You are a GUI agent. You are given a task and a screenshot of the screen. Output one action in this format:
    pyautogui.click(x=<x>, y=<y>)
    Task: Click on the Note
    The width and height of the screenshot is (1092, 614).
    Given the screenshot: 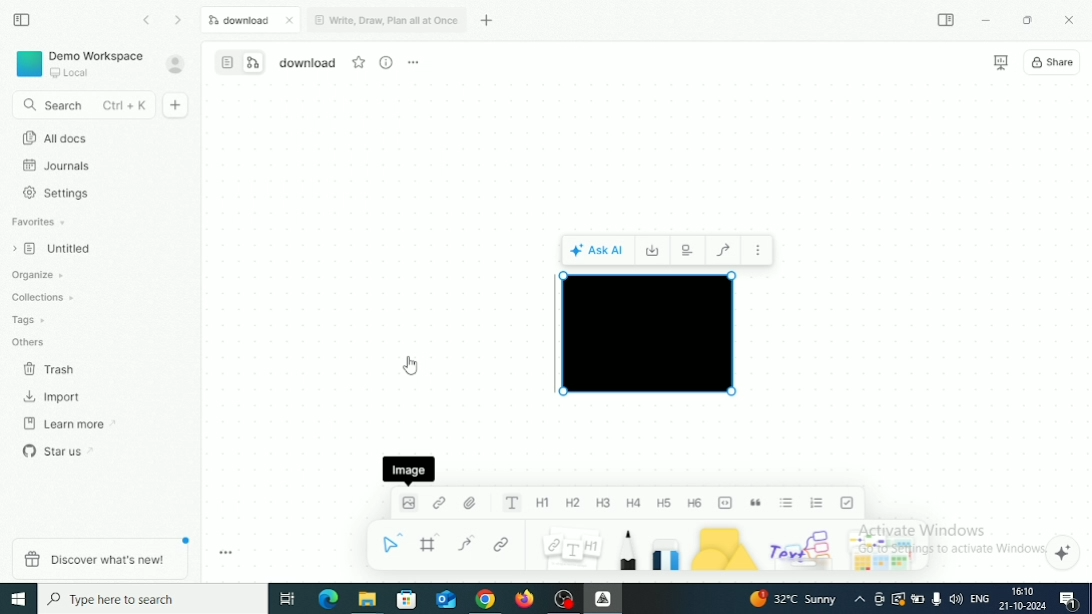 What is the action you would take?
    pyautogui.click(x=571, y=547)
    